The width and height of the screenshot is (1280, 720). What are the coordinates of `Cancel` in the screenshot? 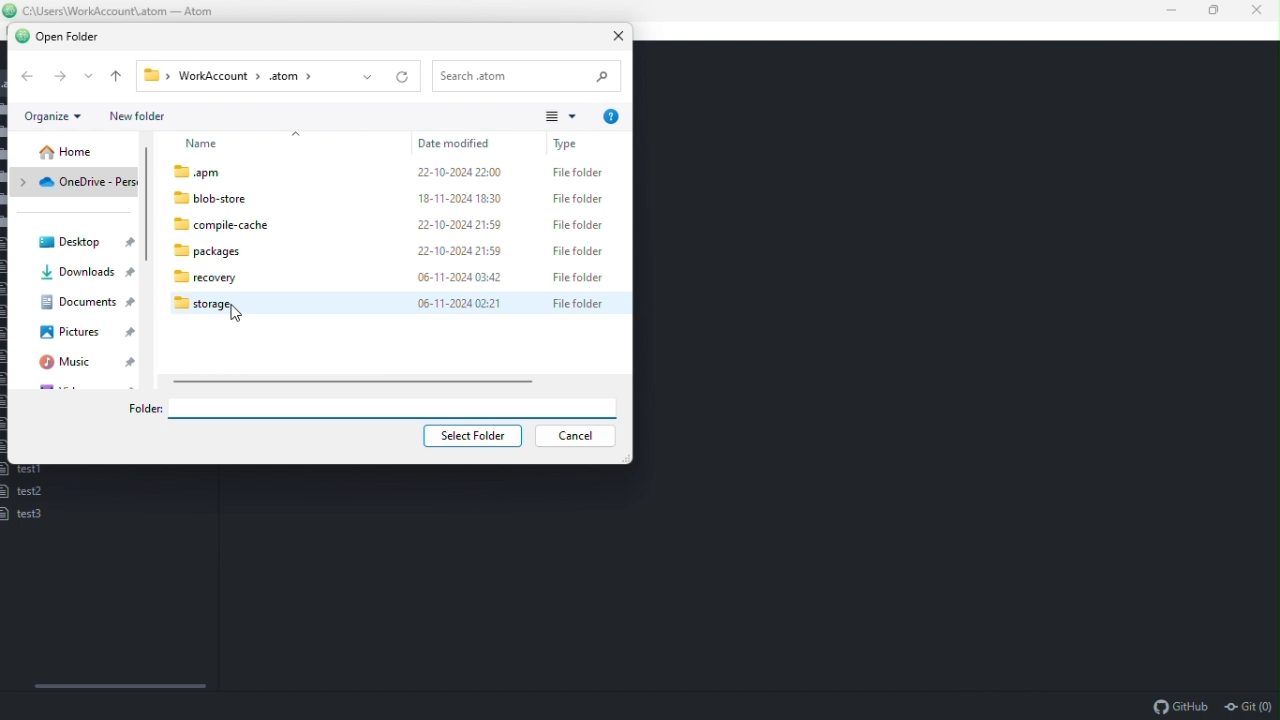 It's located at (575, 438).